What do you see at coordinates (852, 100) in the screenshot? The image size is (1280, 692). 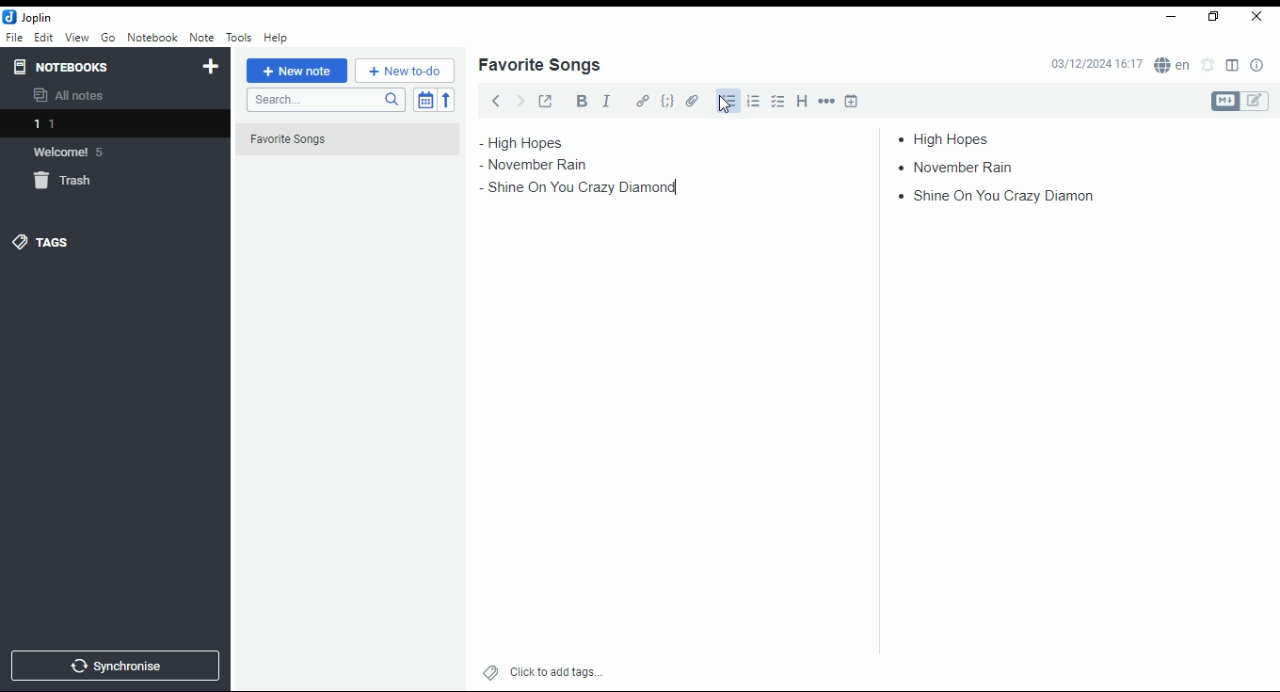 I see `insert time` at bounding box center [852, 100].